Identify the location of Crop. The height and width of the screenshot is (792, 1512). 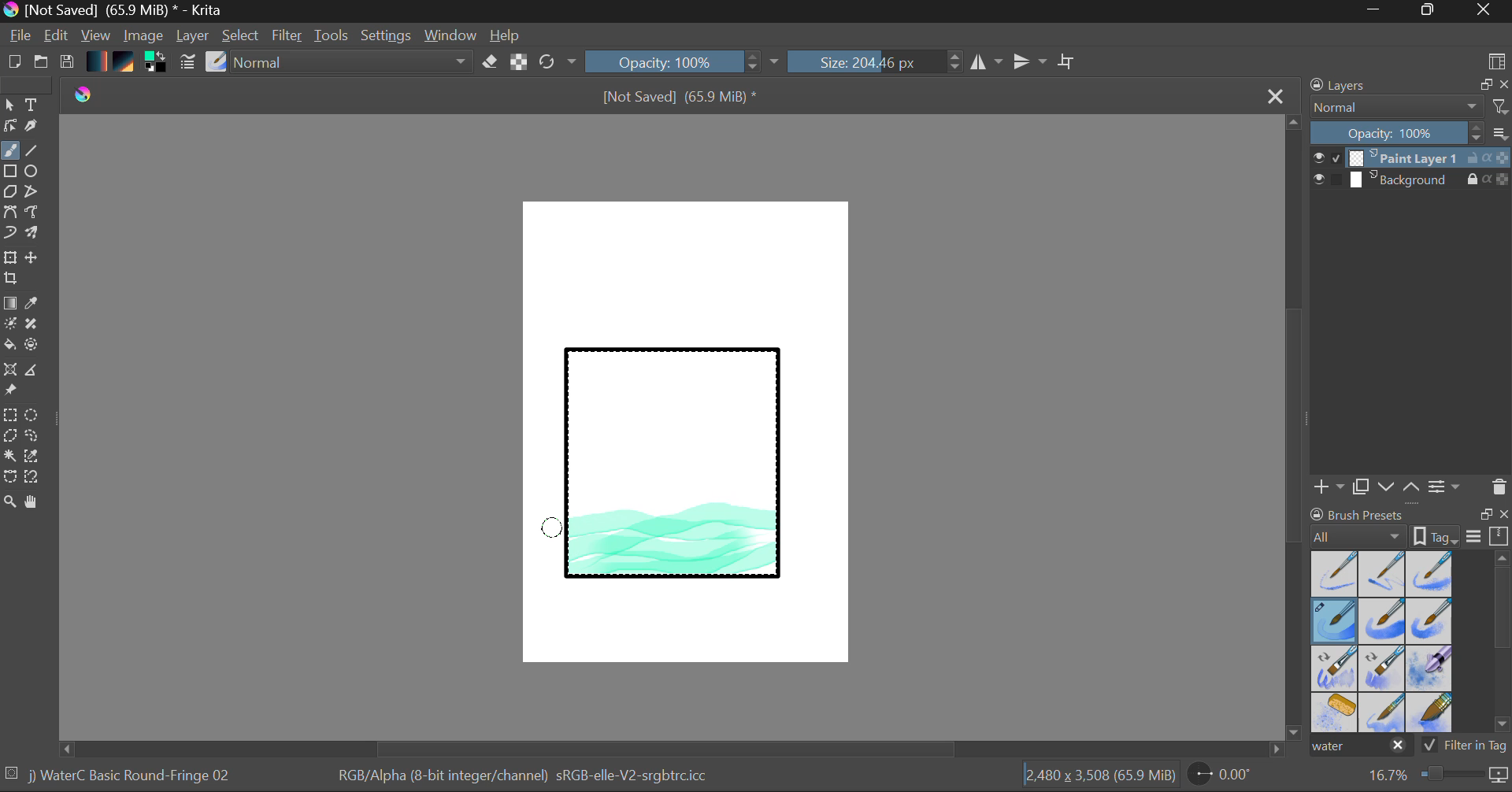
(1069, 61).